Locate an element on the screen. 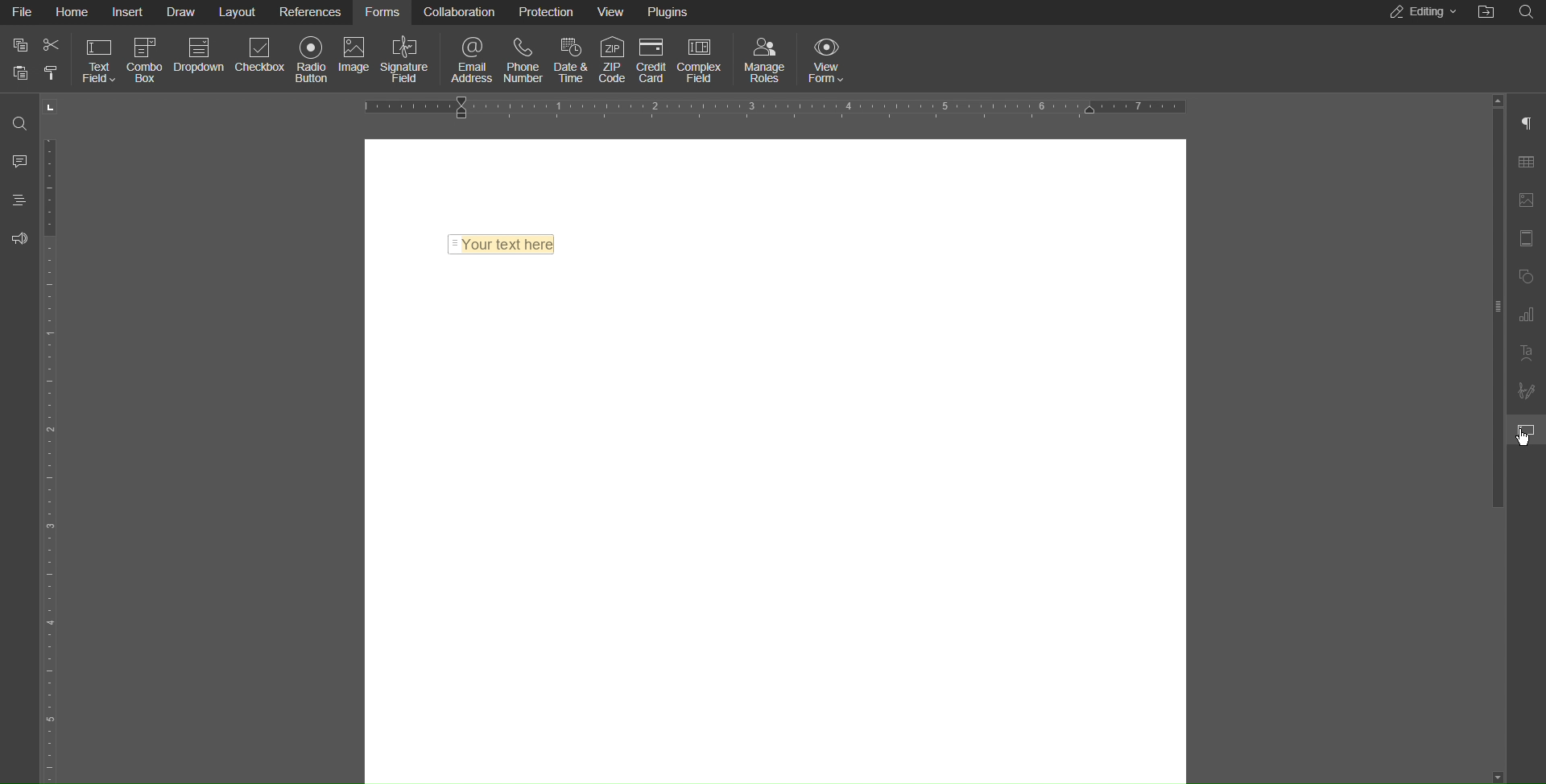 The height and width of the screenshot is (784, 1546). View Form is located at coordinates (830, 62).